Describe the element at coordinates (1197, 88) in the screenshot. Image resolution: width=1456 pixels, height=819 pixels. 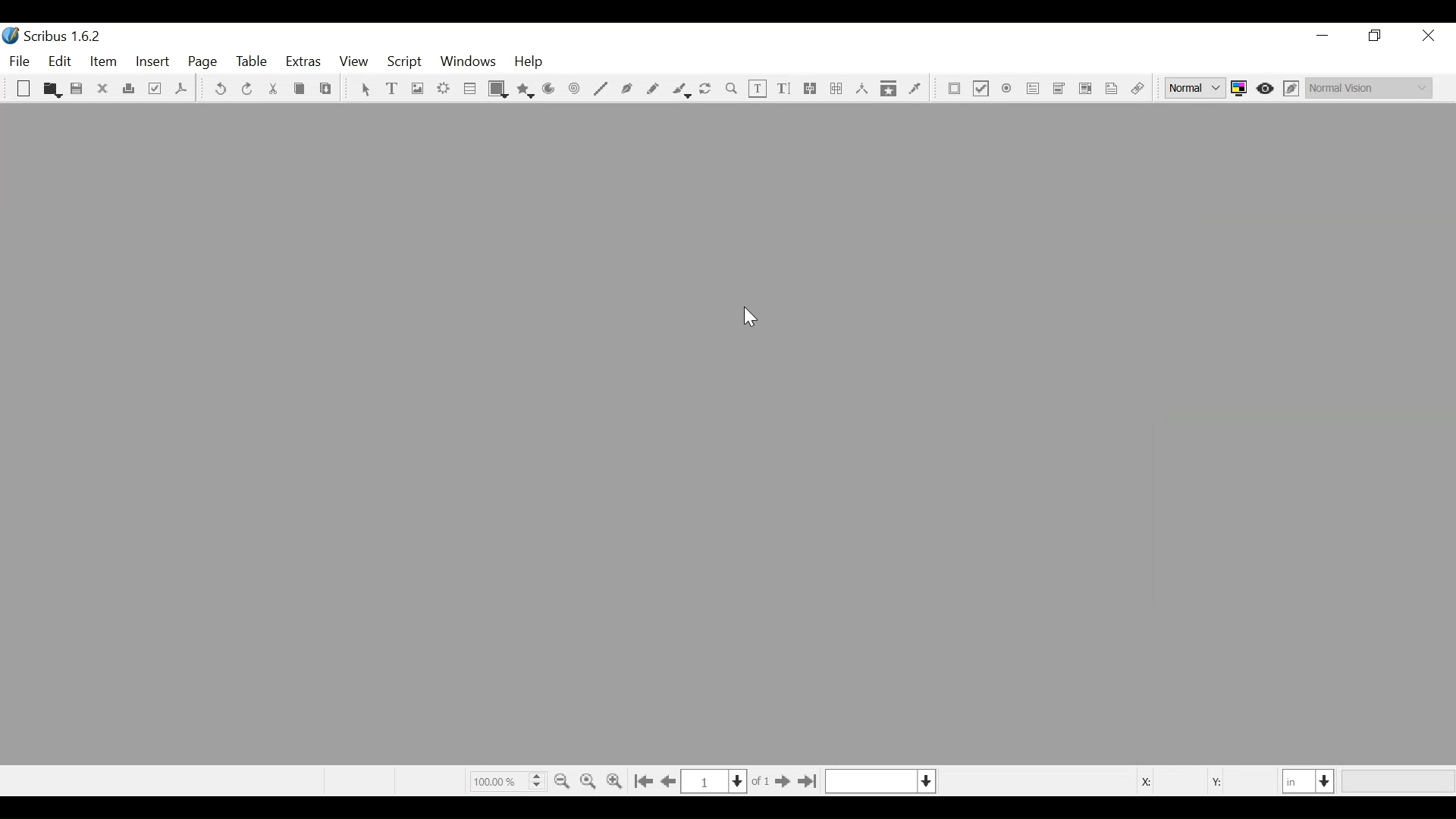
I see `Select the image preview quality` at that location.